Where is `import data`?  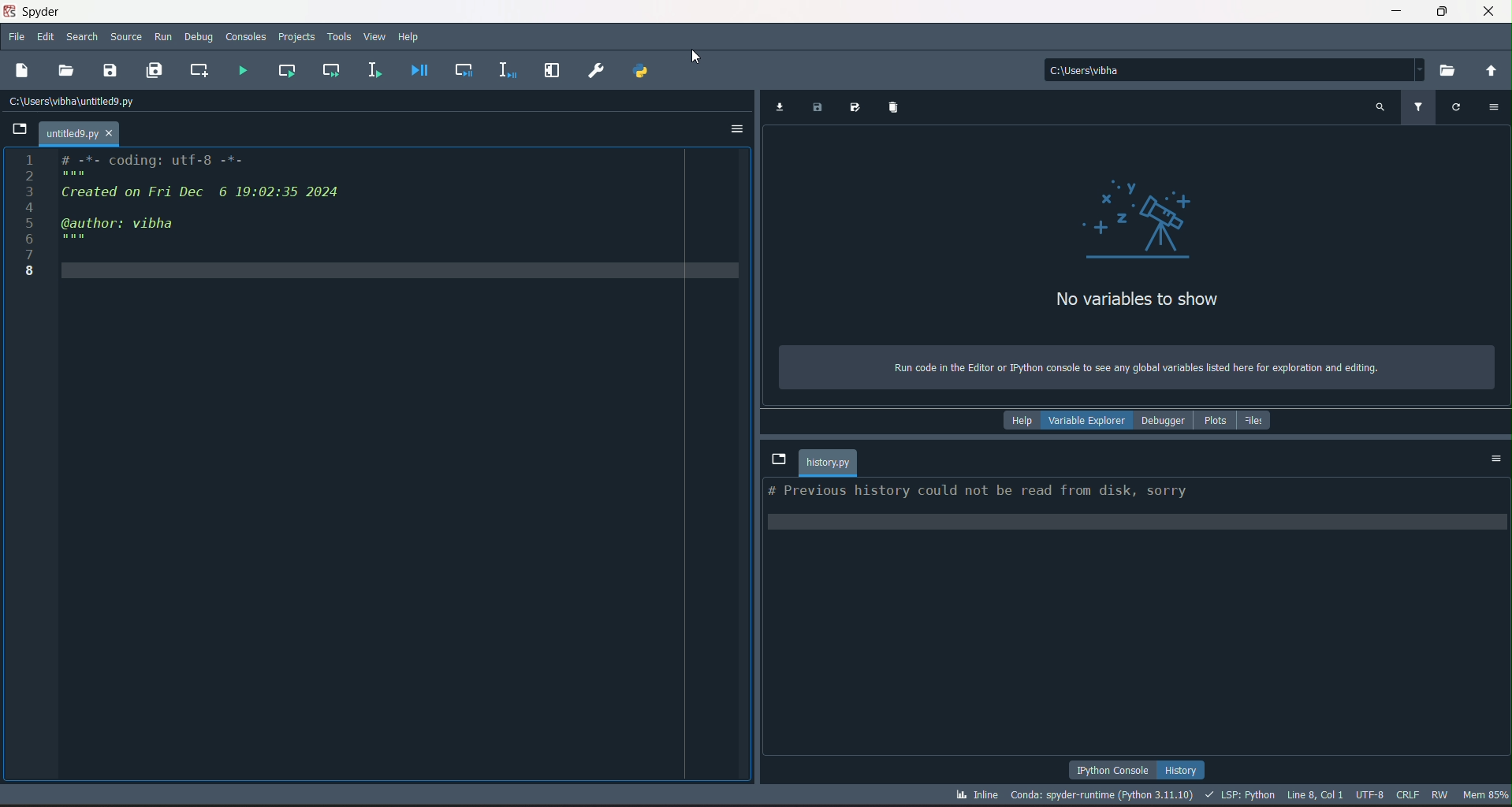
import data is located at coordinates (779, 109).